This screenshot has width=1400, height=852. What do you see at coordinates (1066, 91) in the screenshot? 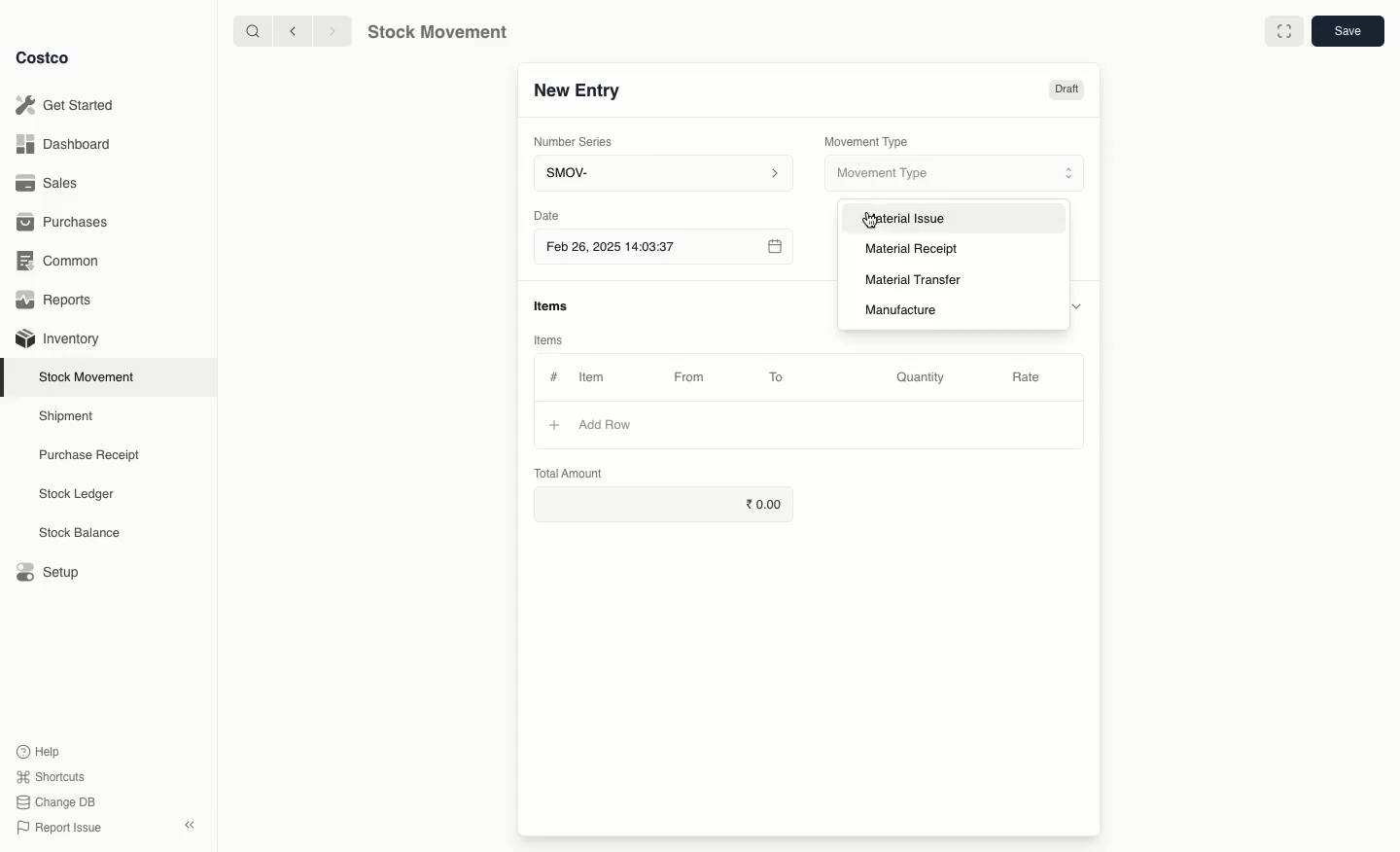
I see `Draft` at bounding box center [1066, 91].